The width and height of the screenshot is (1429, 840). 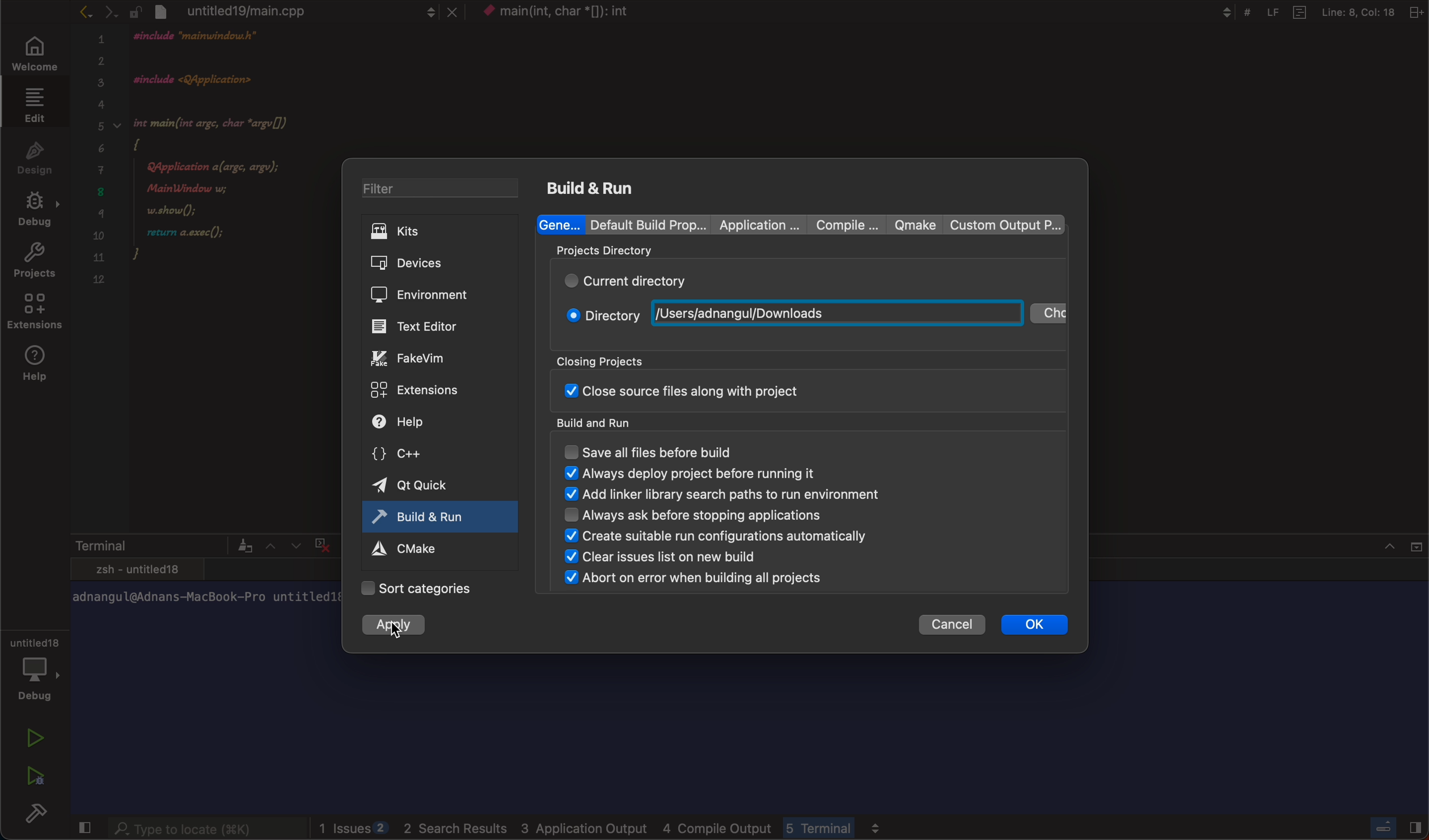 What do you see at coordinates (915, 226) in the screenshot?
I see `qmake` at bounding box center [915, 226].